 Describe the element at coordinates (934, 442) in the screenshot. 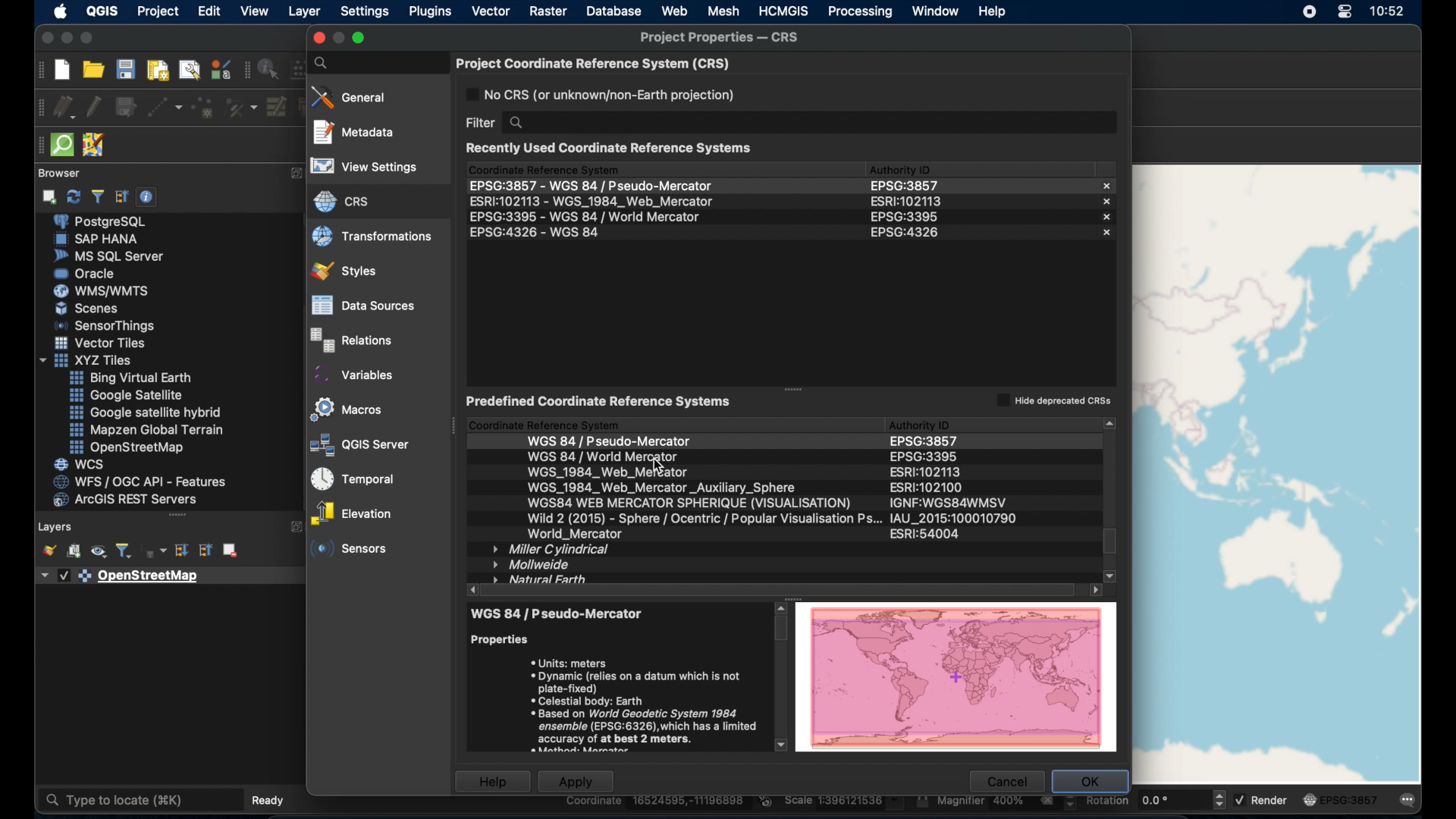

I see `authority id` at that location.